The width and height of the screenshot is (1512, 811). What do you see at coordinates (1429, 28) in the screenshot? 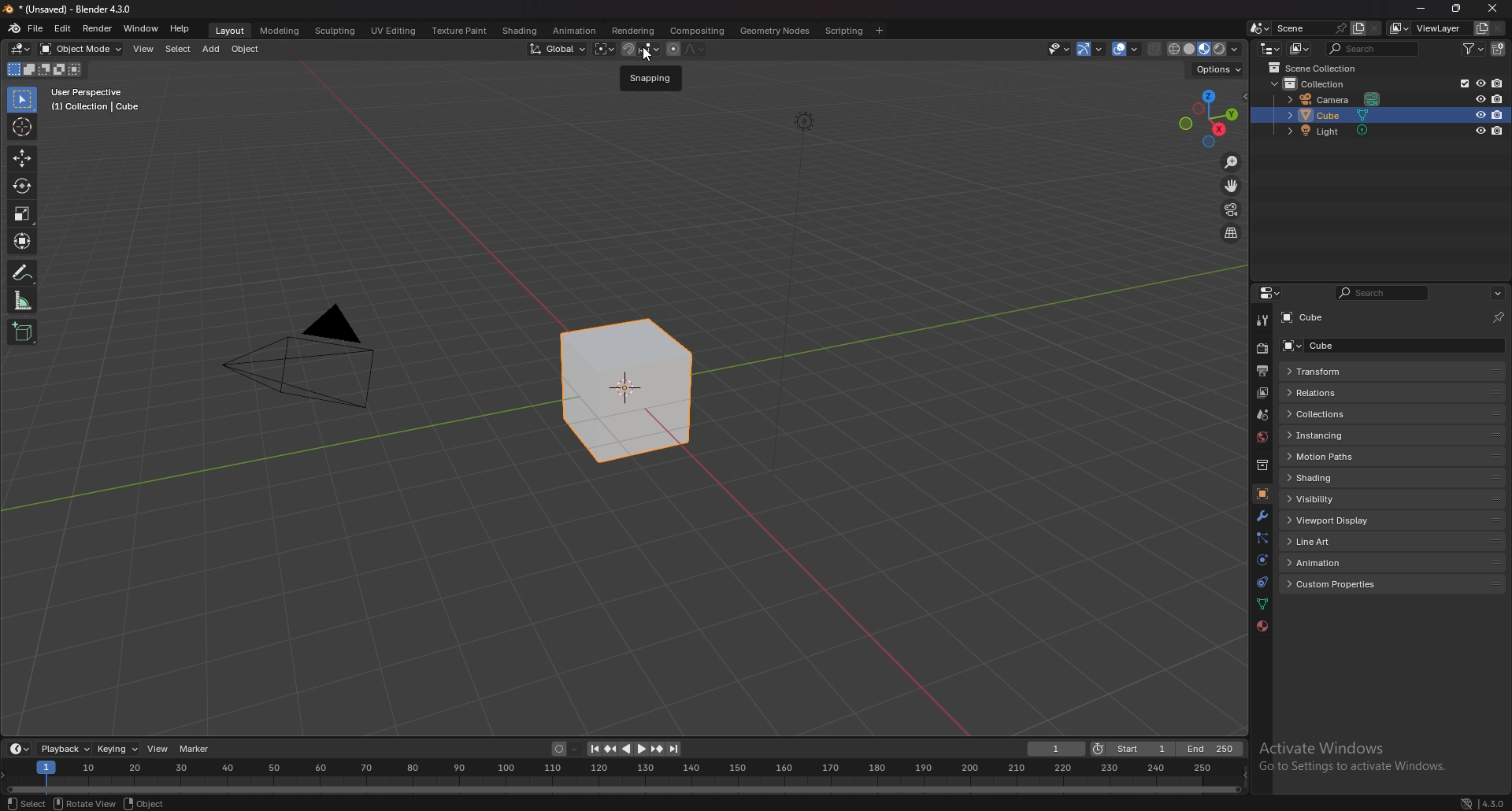
I see `view layer` at bounding box center [1429, 28].